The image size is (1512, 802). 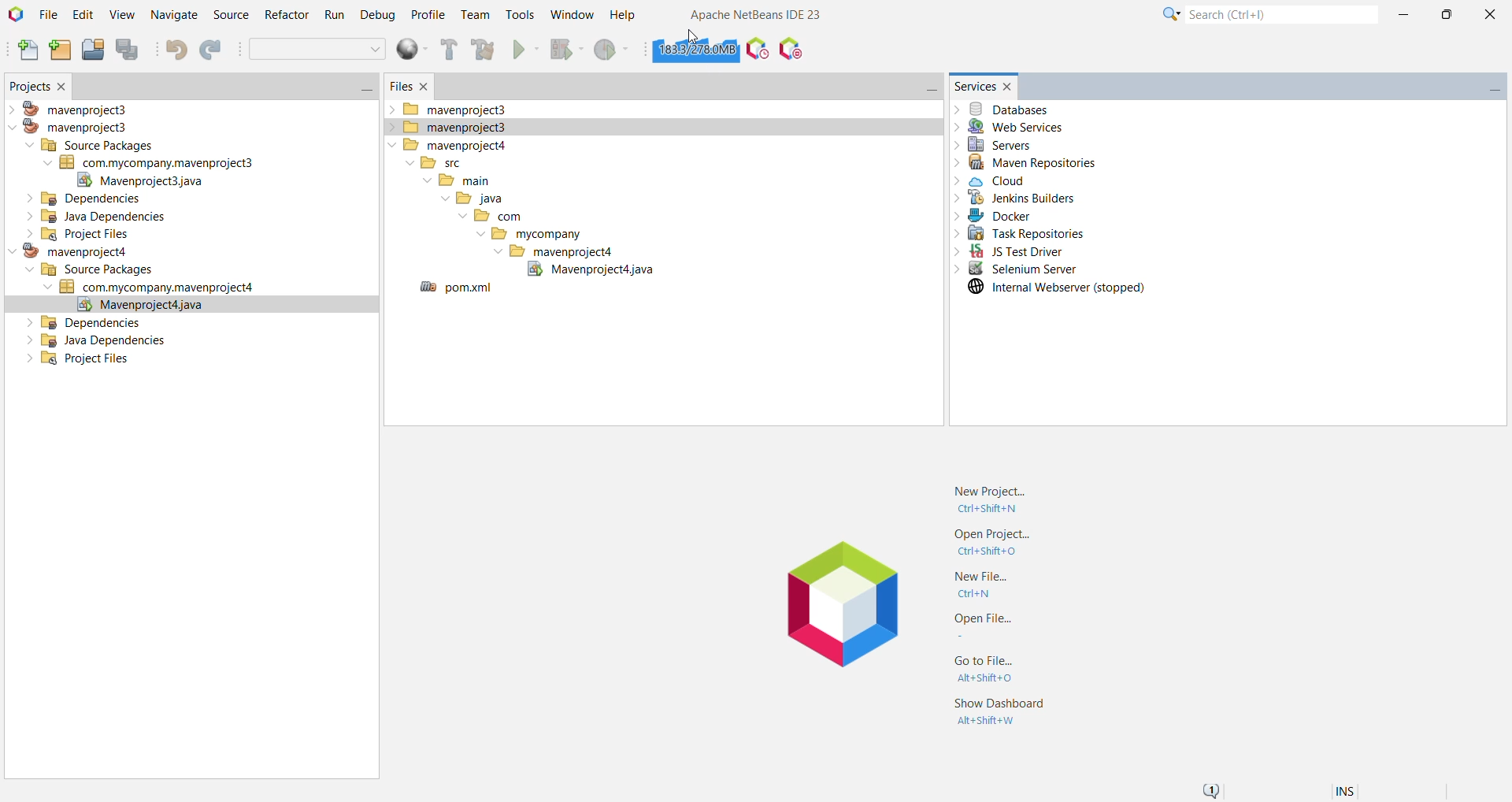 What do you see at coordinates (453, 109) in the screenshot?
I see `mavenproject3` at bounding box center [453, 109].